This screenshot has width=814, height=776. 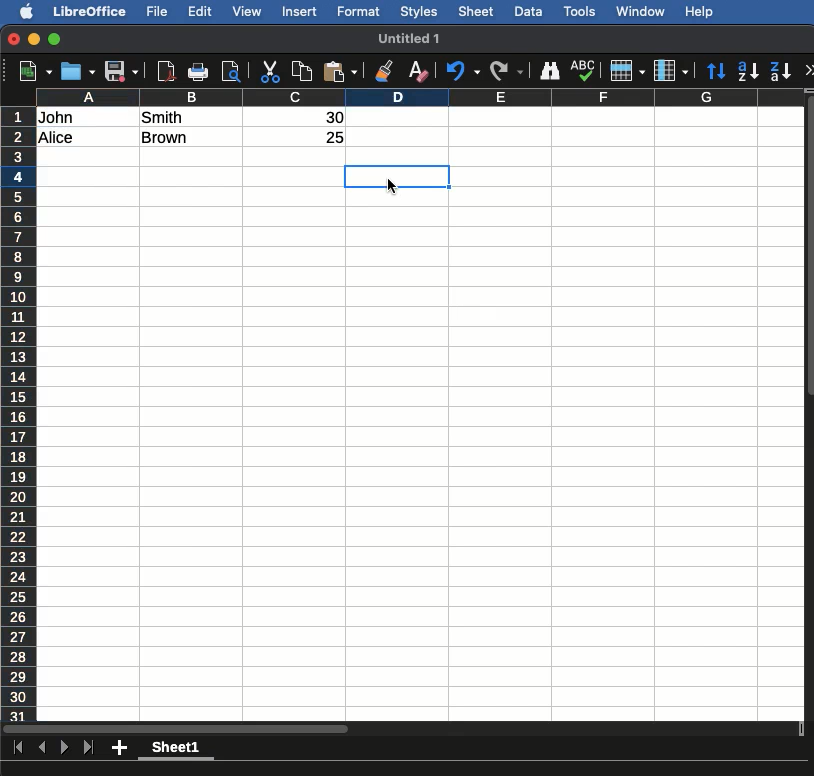 I want to click on Tools, so click(x=581, y=12).